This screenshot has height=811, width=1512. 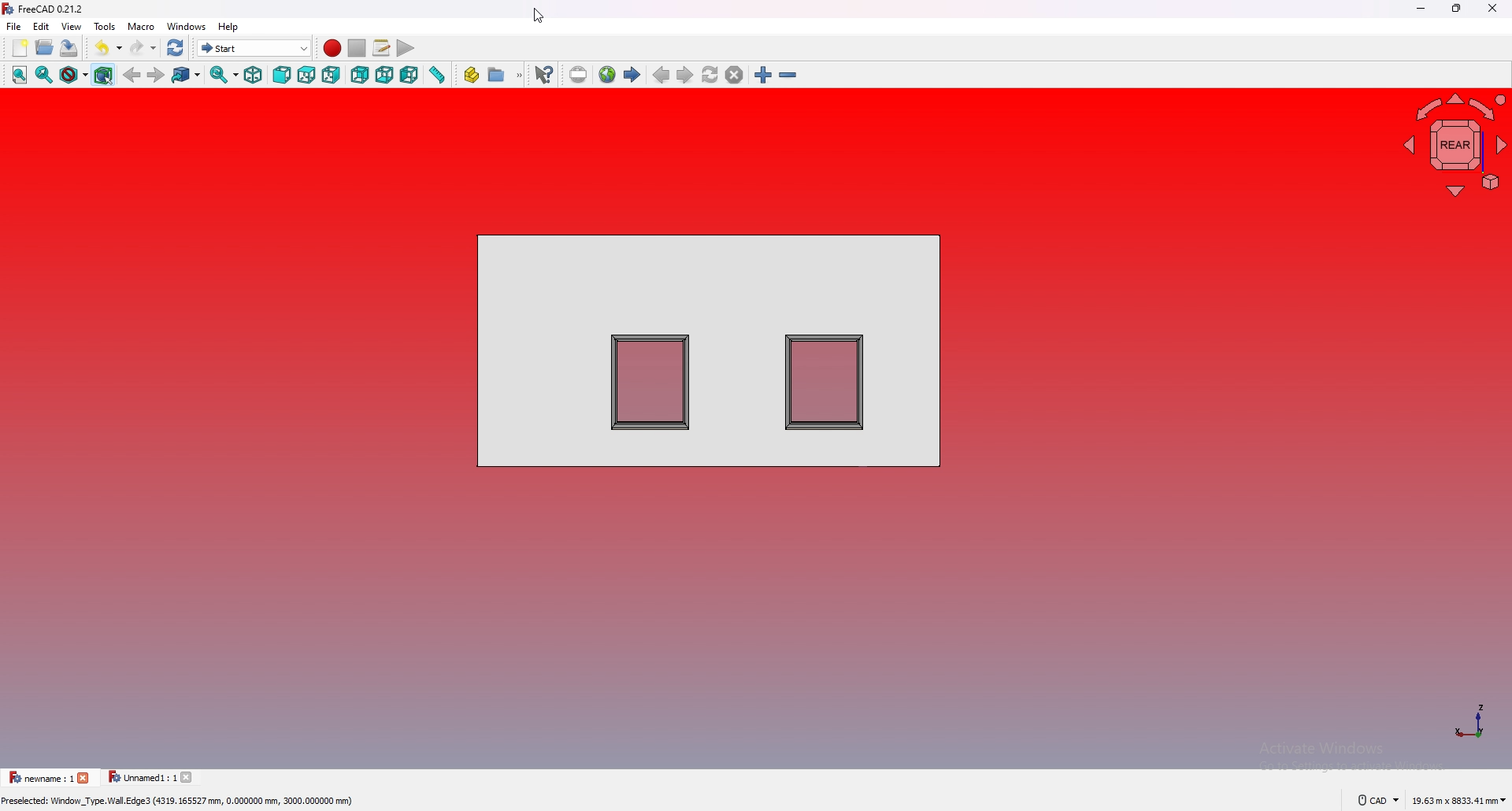 I want to click on Preselected: Window _Type.Wall.Edge3 (4319. 165527 mm, 0.000000 mm, 3000.000000 mm), so click(x=183, y=801).